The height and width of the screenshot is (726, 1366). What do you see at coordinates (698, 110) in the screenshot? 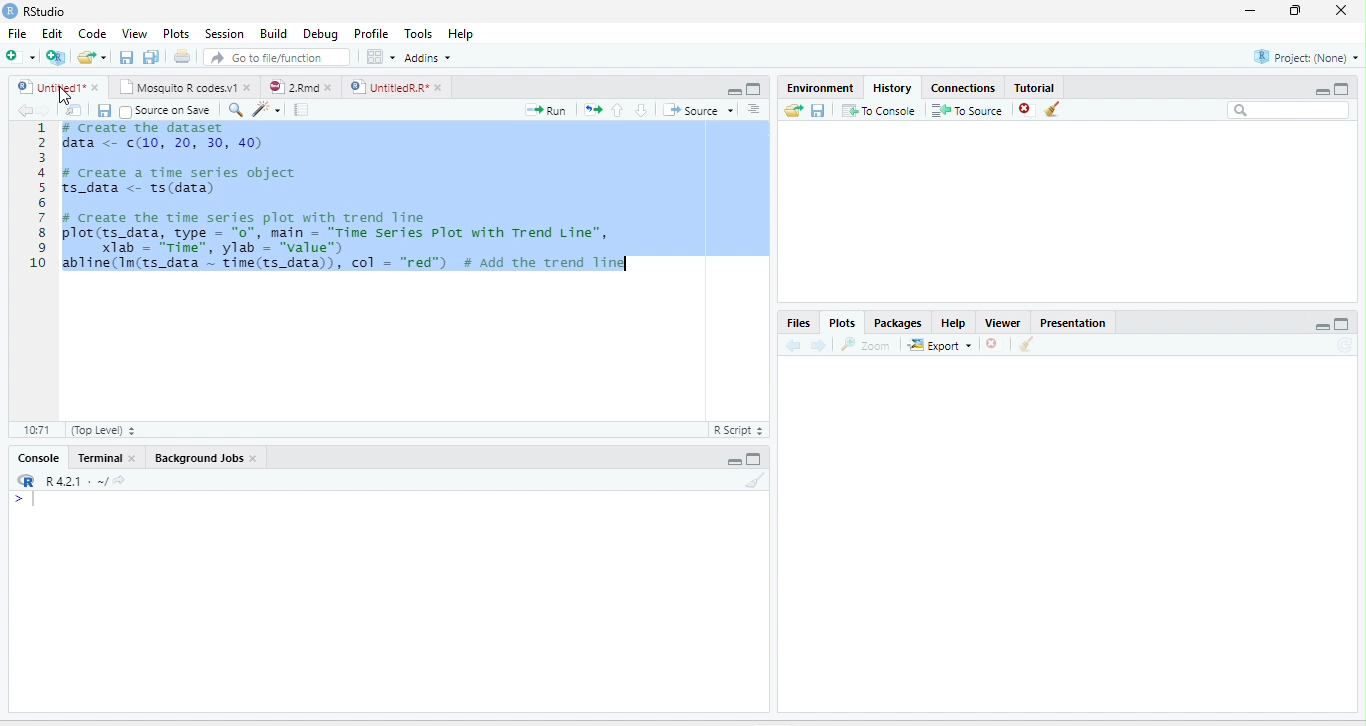
I see `Source` at bounding box center [698, 110].